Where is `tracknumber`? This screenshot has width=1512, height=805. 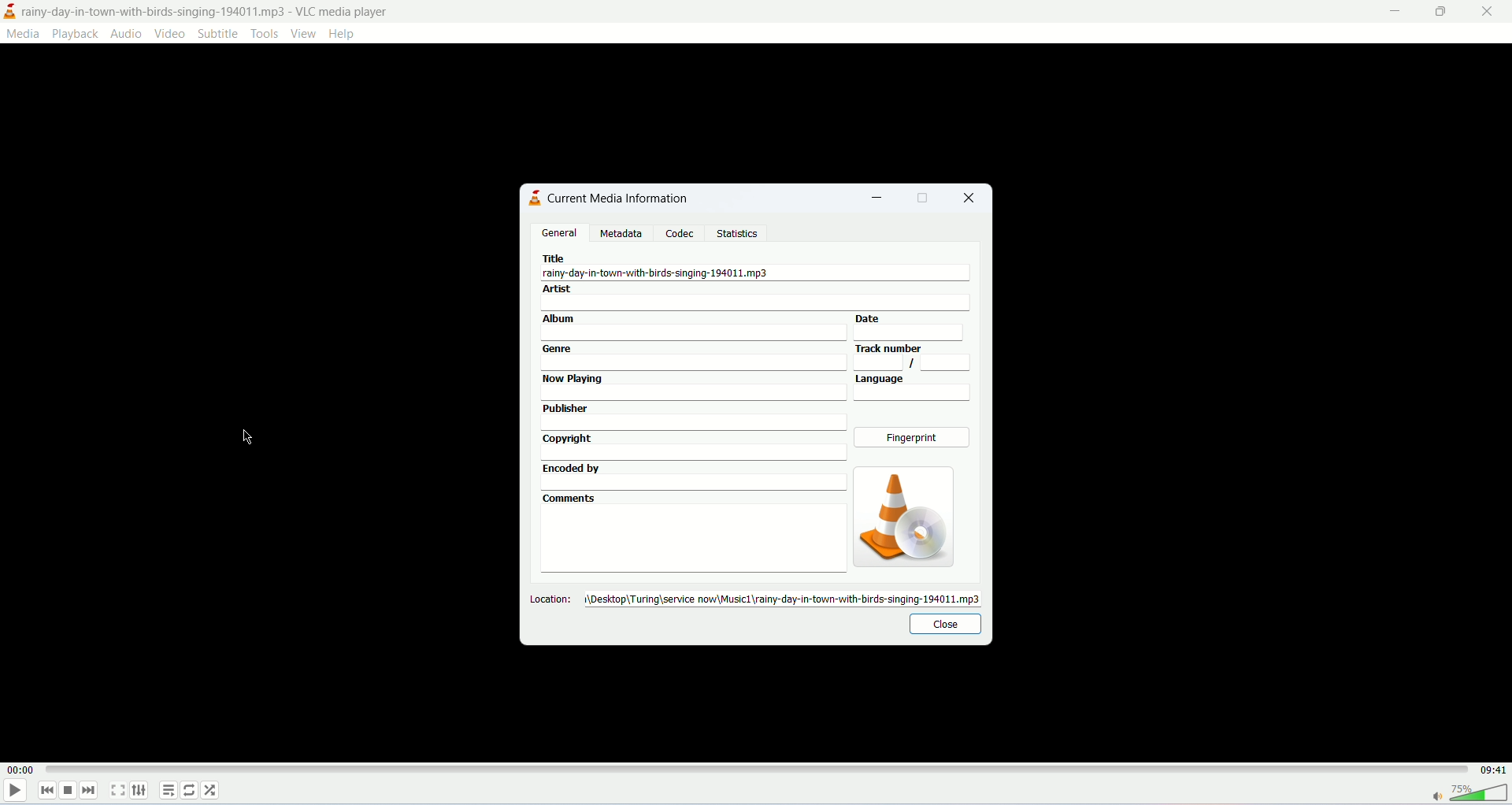
tracknumber is located at coordinates (914, 357).